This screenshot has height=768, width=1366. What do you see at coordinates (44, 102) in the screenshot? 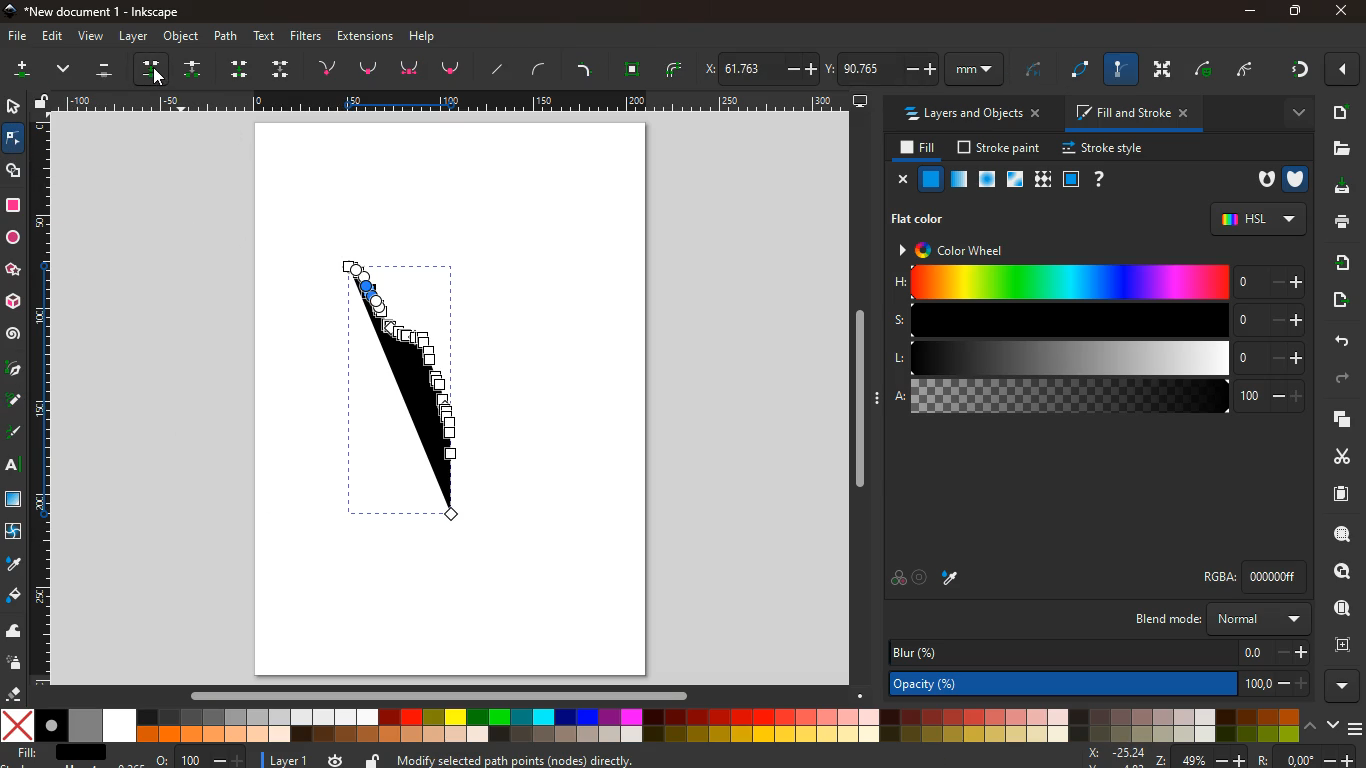
I see `unlock` at bounding box center [44, 102].